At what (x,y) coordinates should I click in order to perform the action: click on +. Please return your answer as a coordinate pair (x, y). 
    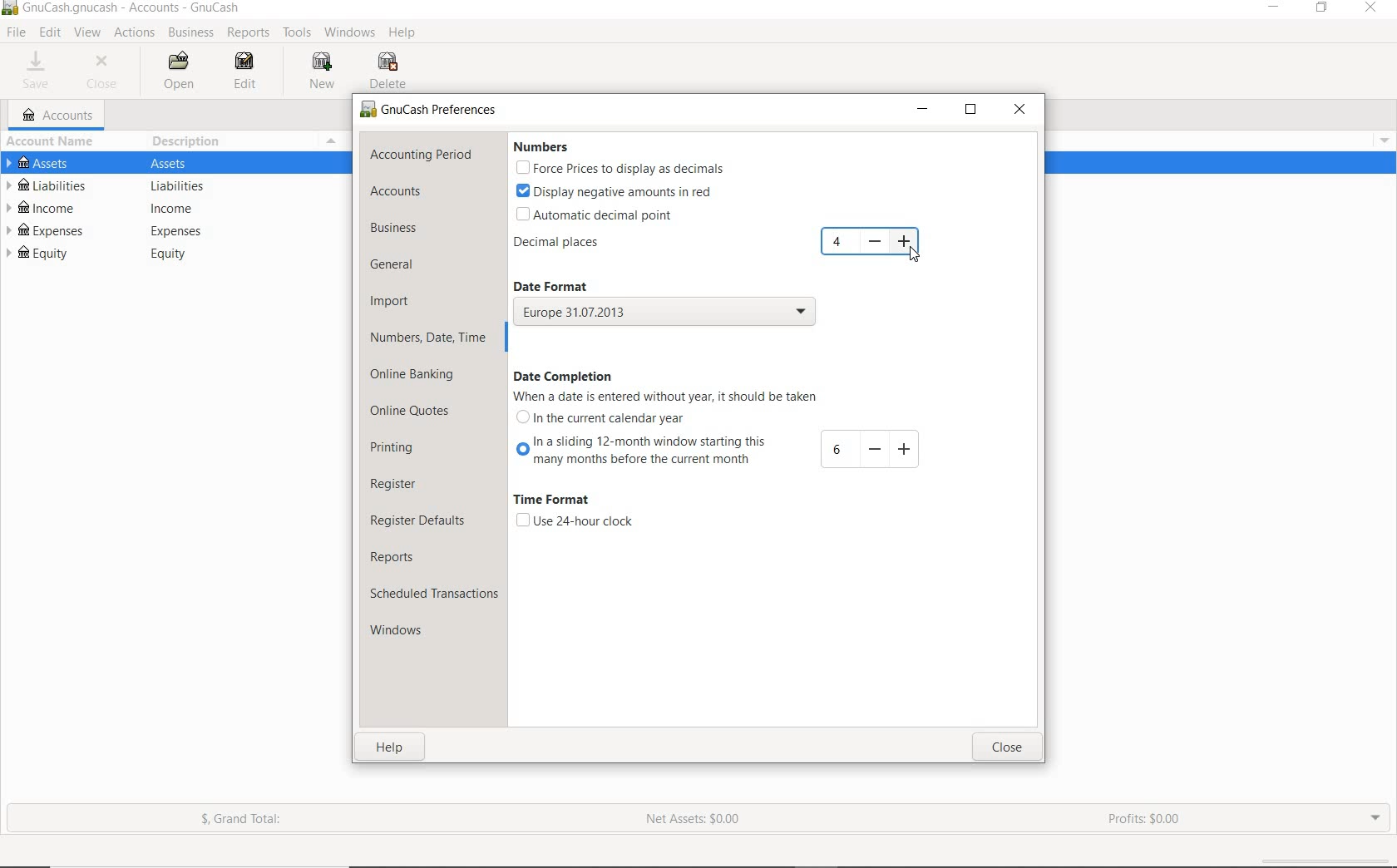
    Looking at the image, I should click on (904, 448).